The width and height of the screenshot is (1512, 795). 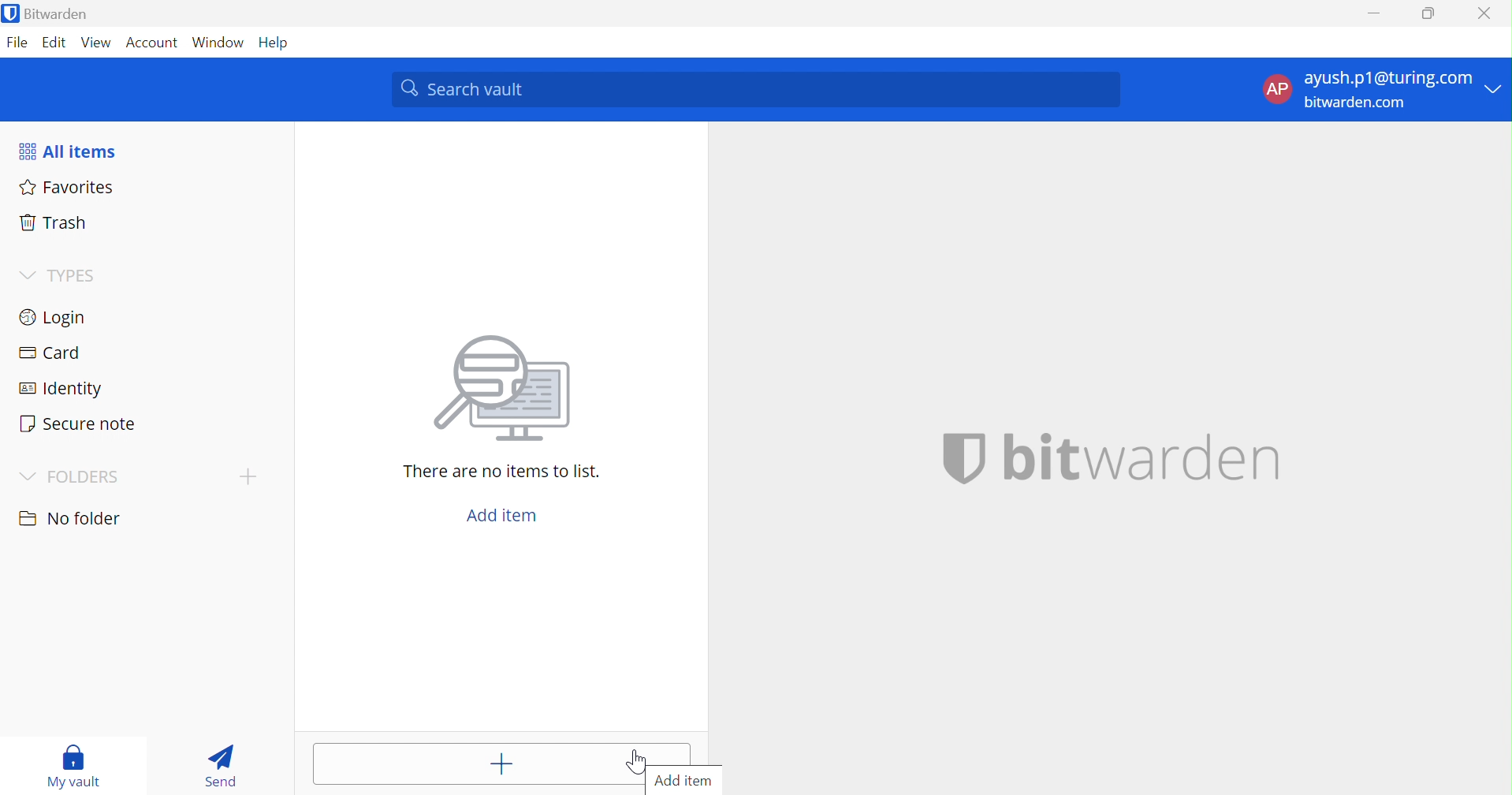 What do you see at coordinates (757, 89) in the screenshot?
I see `Search Vault` at bounding box center [757, 89].